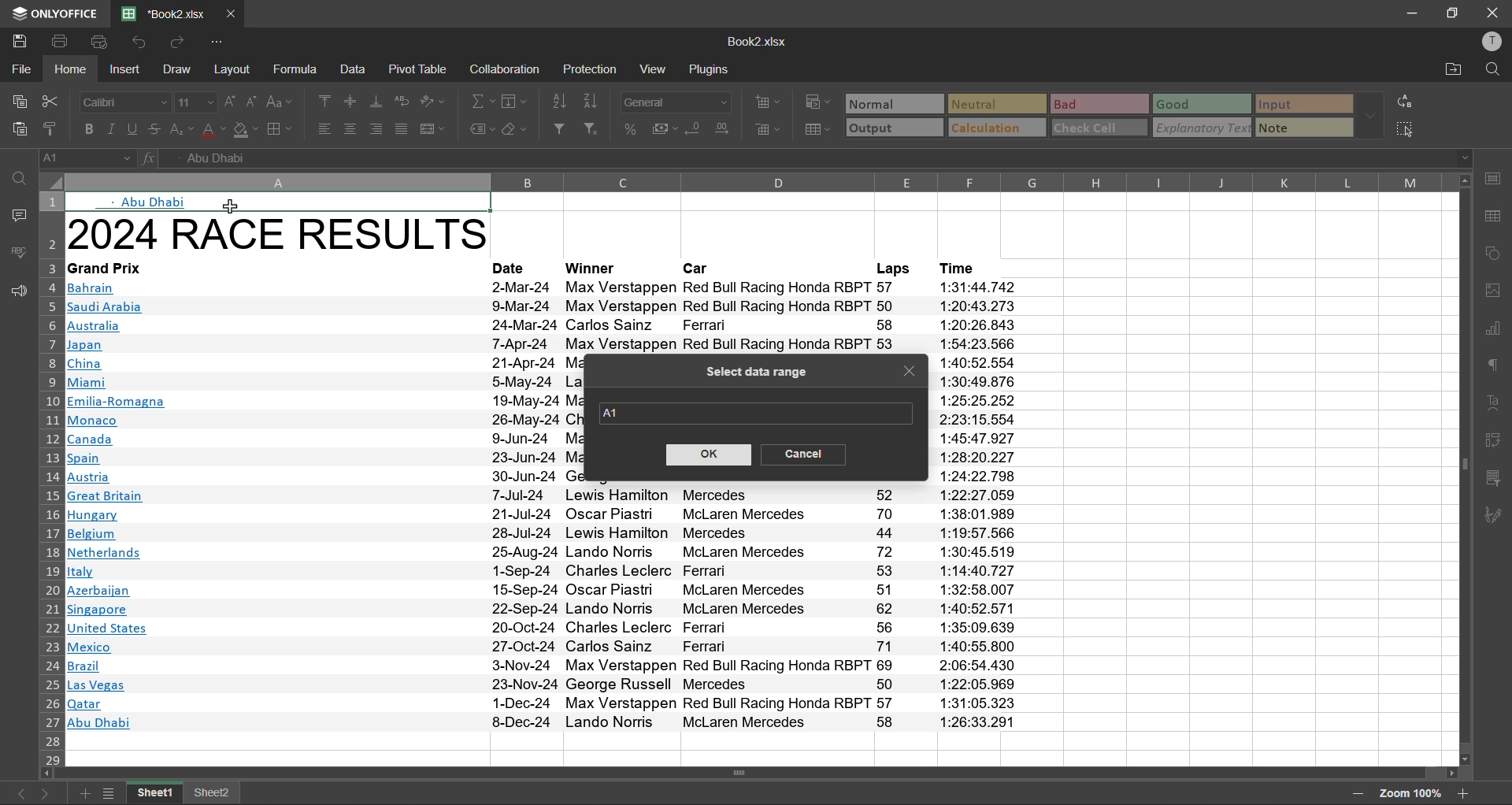 The image size is (1512, 805). What do you see at coordinates (989, 129) in the screenshot?
I see `calculation` at bounding box center [989, 129].